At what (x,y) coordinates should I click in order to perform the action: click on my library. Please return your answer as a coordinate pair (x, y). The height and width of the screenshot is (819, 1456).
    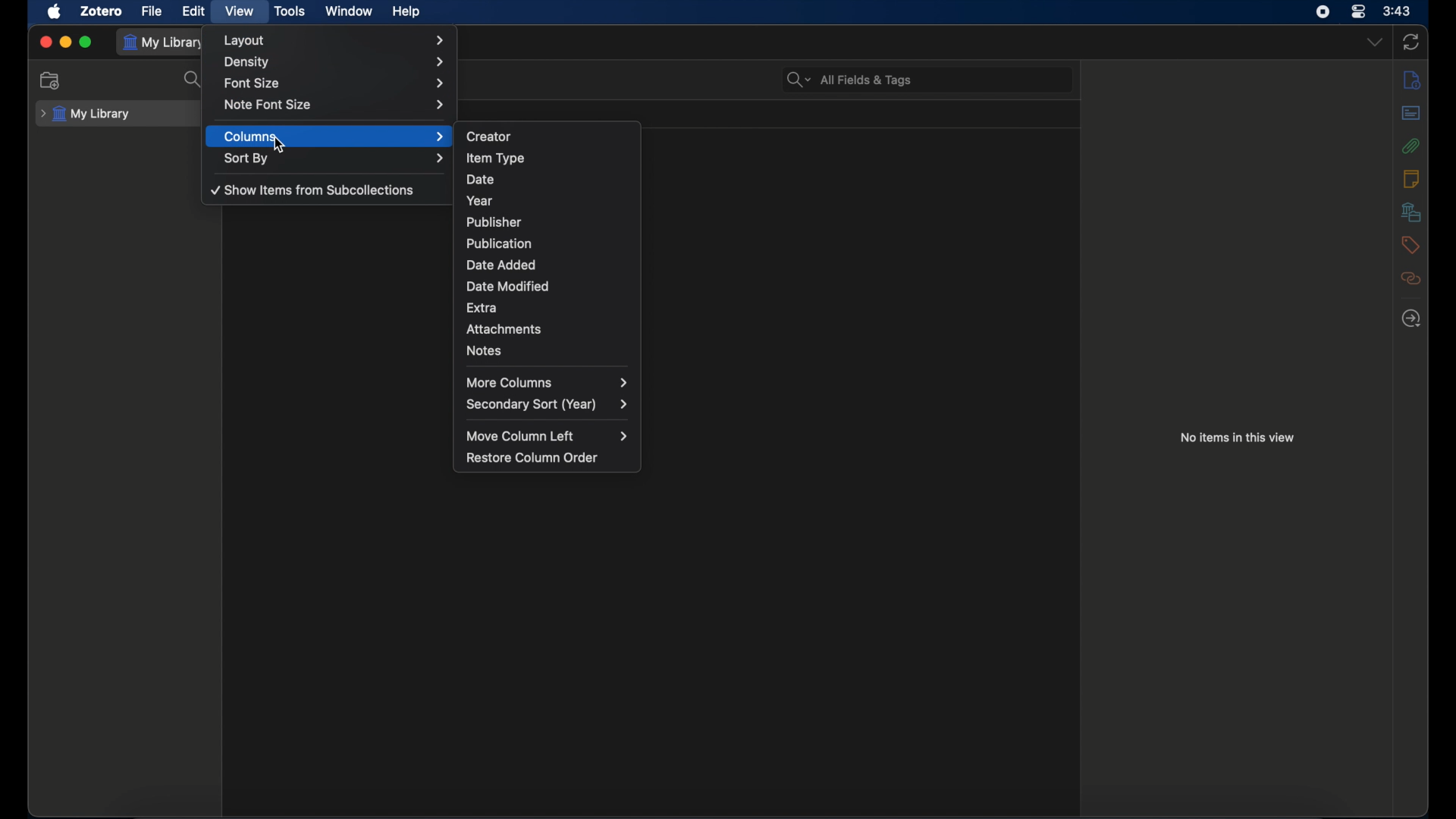
    Looking at the image, I should click on (165, 42).